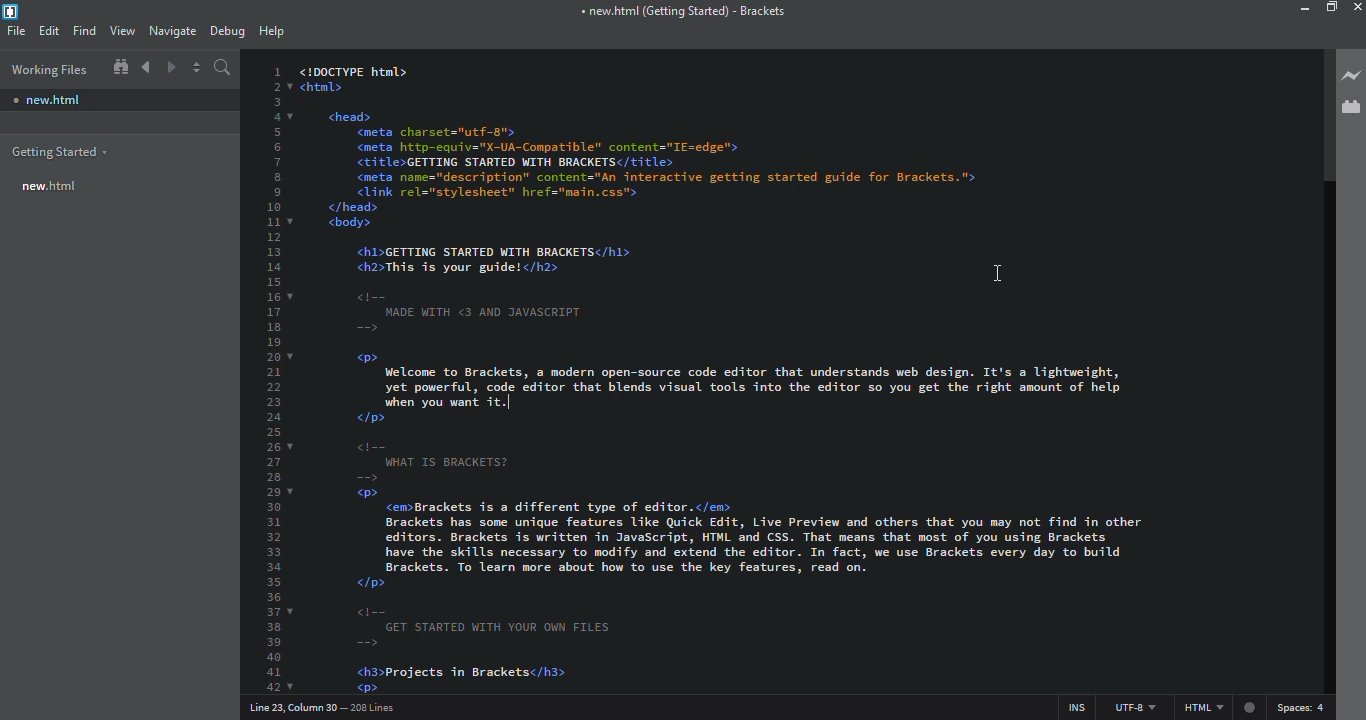  I want to click on new, so click(48, 100).